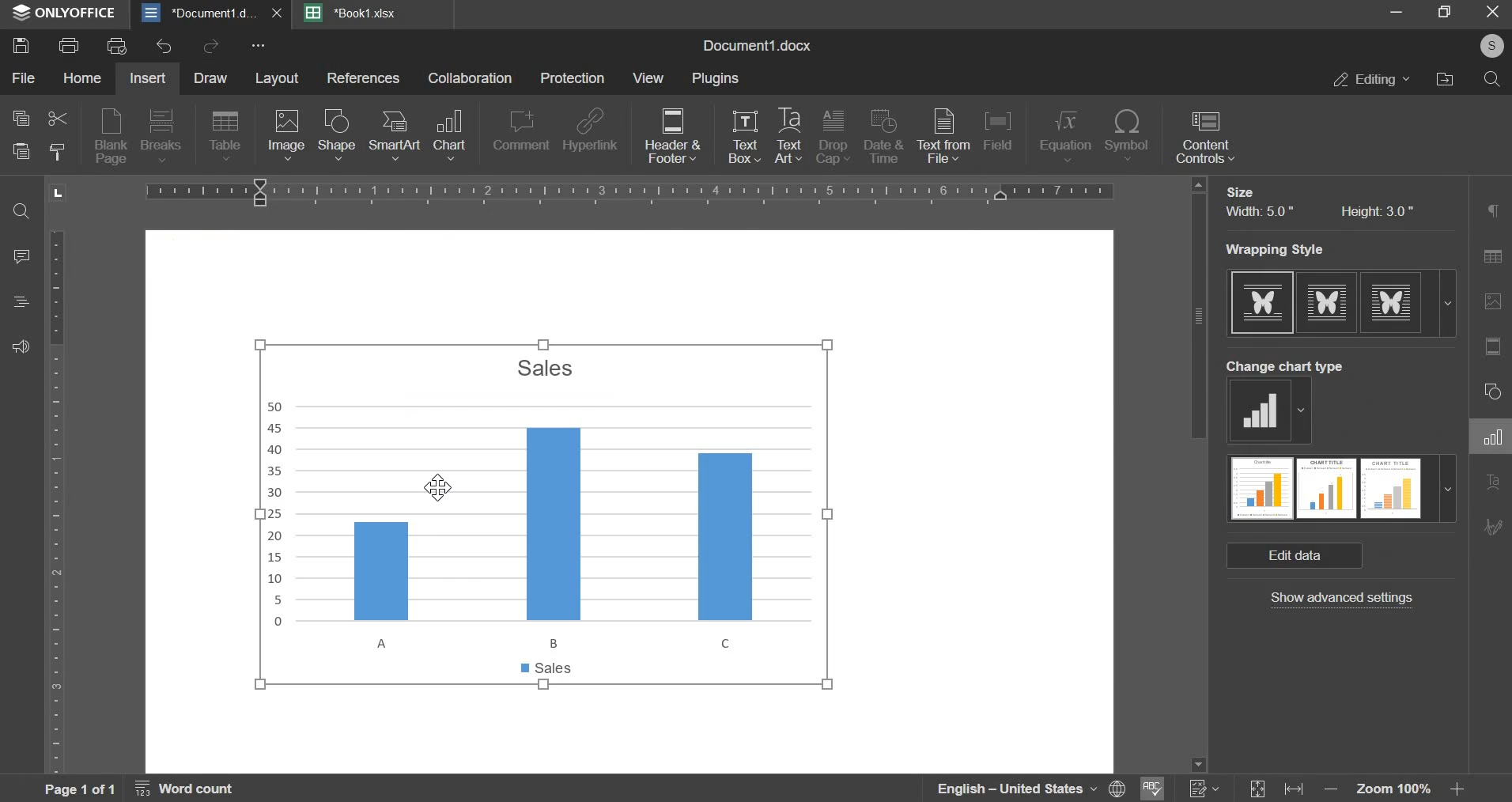  What do you see at coordinates (225, 138) in the screenshot?
I see `table` at bounding box center [225, 138].